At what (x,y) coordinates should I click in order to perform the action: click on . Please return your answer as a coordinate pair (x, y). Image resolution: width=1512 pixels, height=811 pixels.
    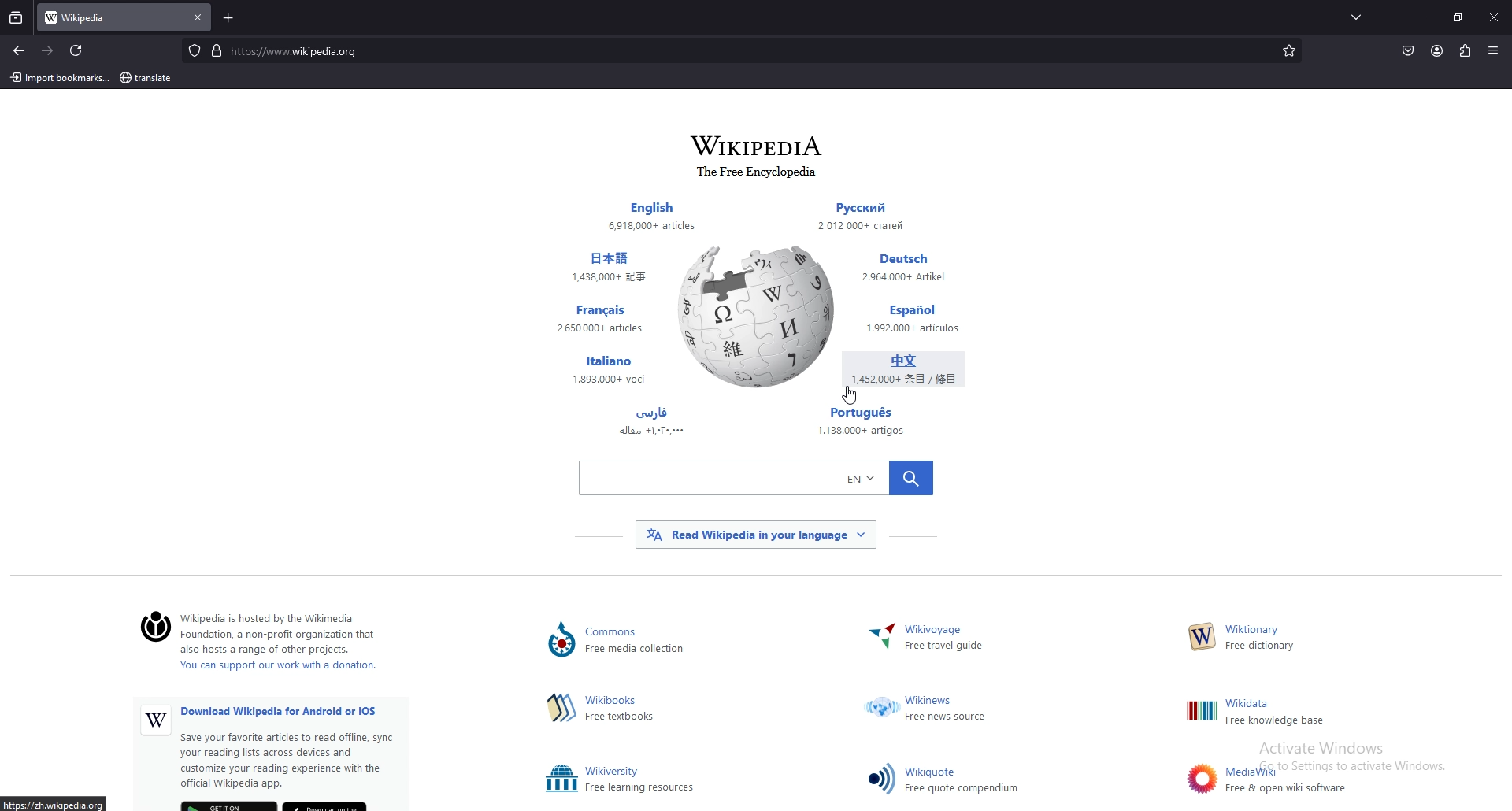
    Looking at the image, I should click on (755, 535).